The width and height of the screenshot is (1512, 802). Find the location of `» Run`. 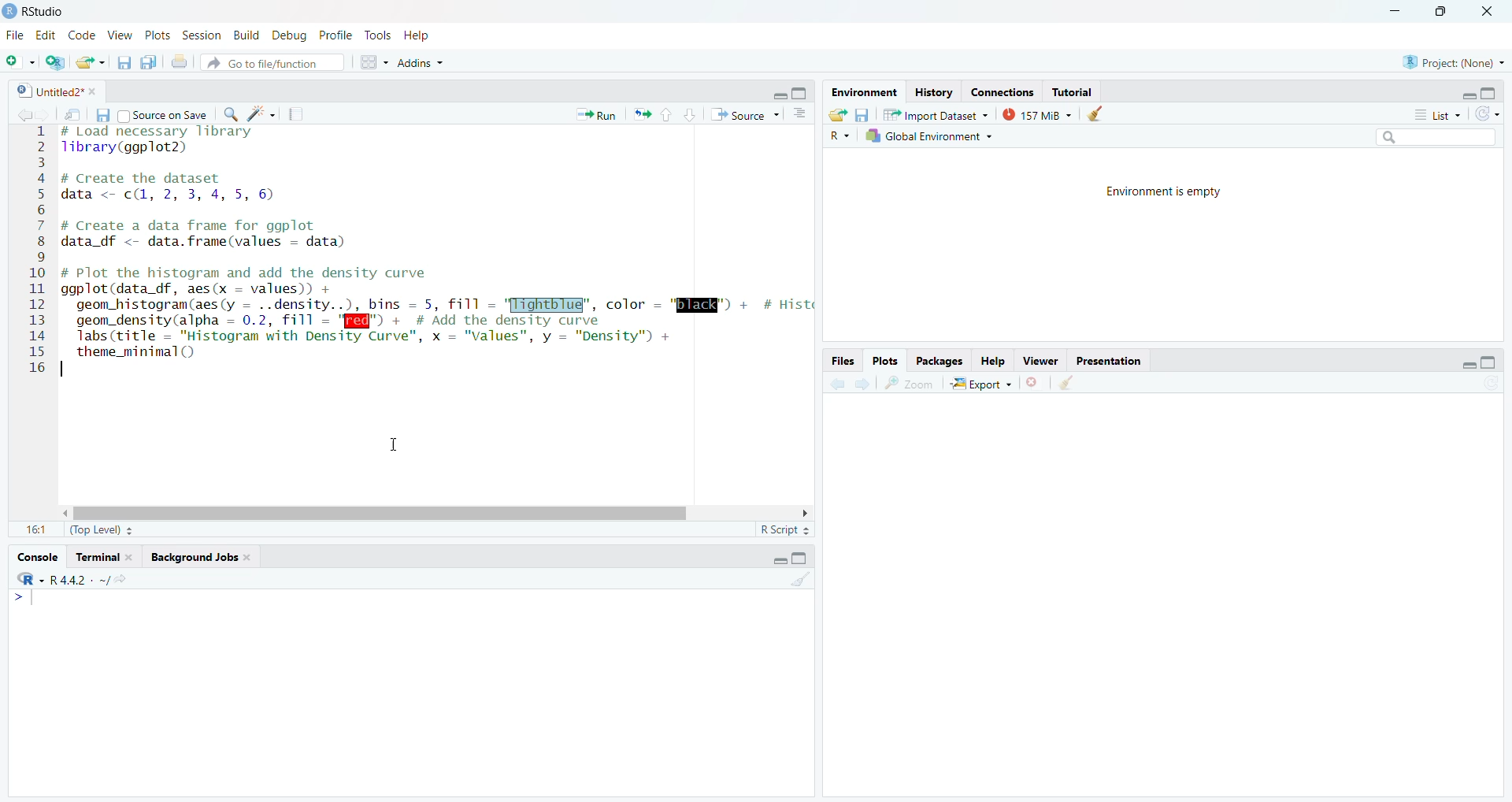

» Run is located at coordinates (600, 114).